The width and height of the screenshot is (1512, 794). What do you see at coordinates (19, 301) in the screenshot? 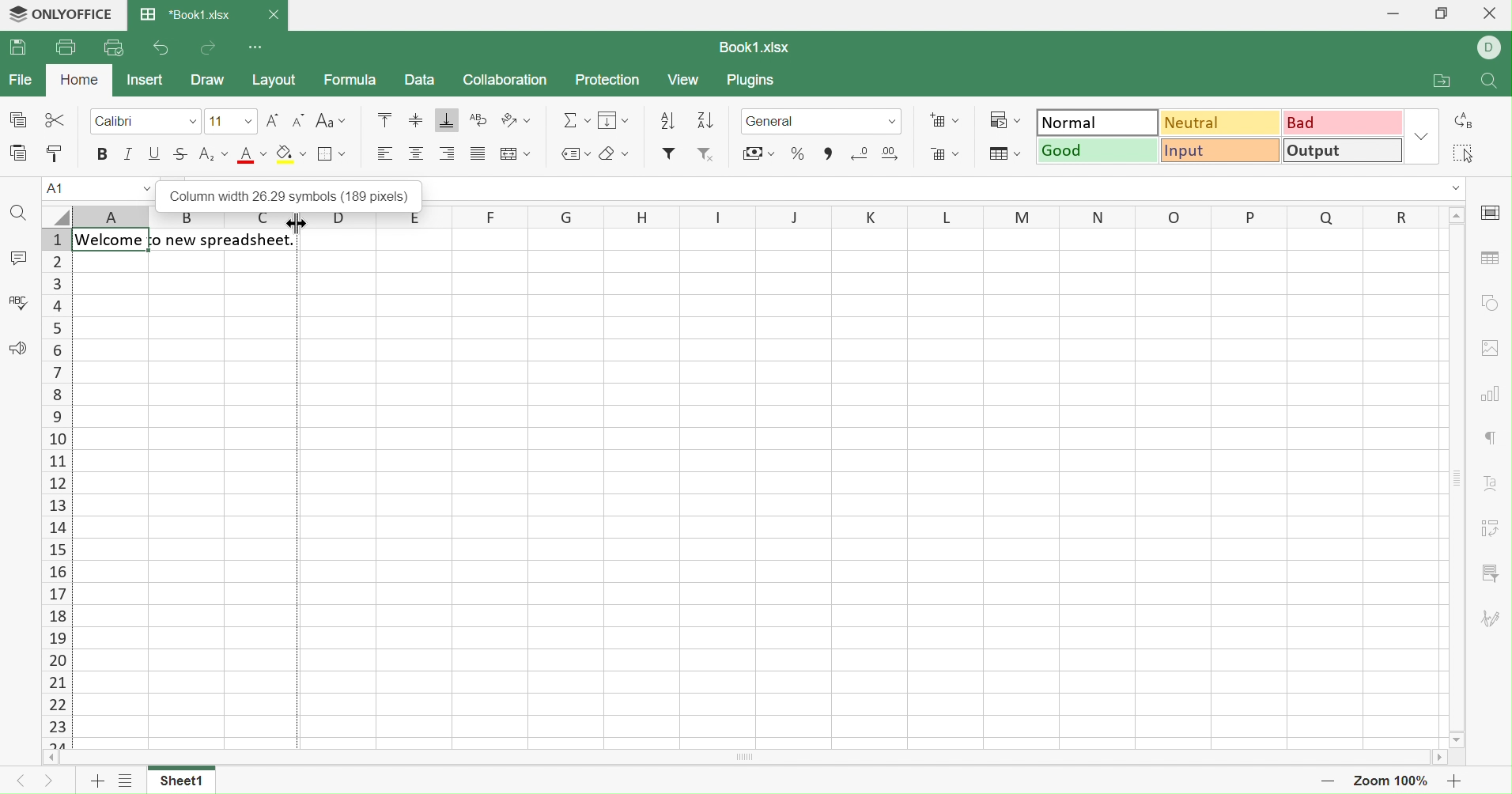
I see `Check Spelling` at bounding box center [19, 301].